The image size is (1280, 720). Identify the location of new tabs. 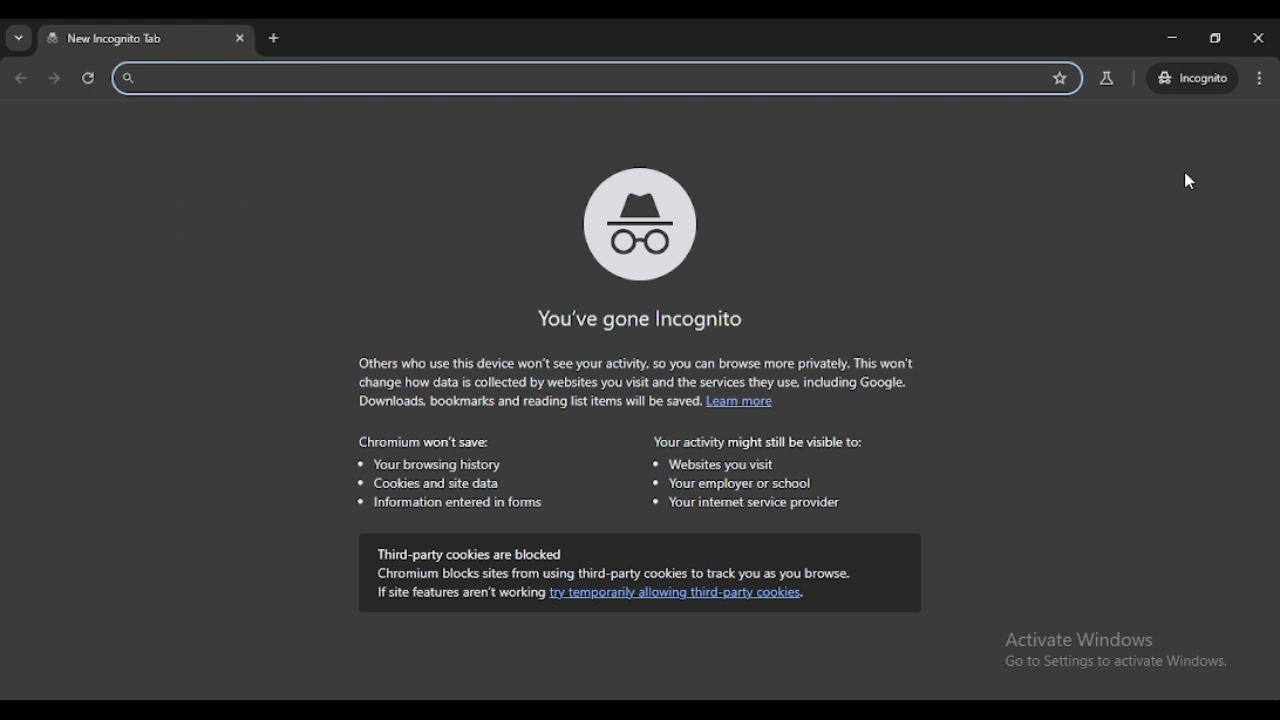
(273, 38).